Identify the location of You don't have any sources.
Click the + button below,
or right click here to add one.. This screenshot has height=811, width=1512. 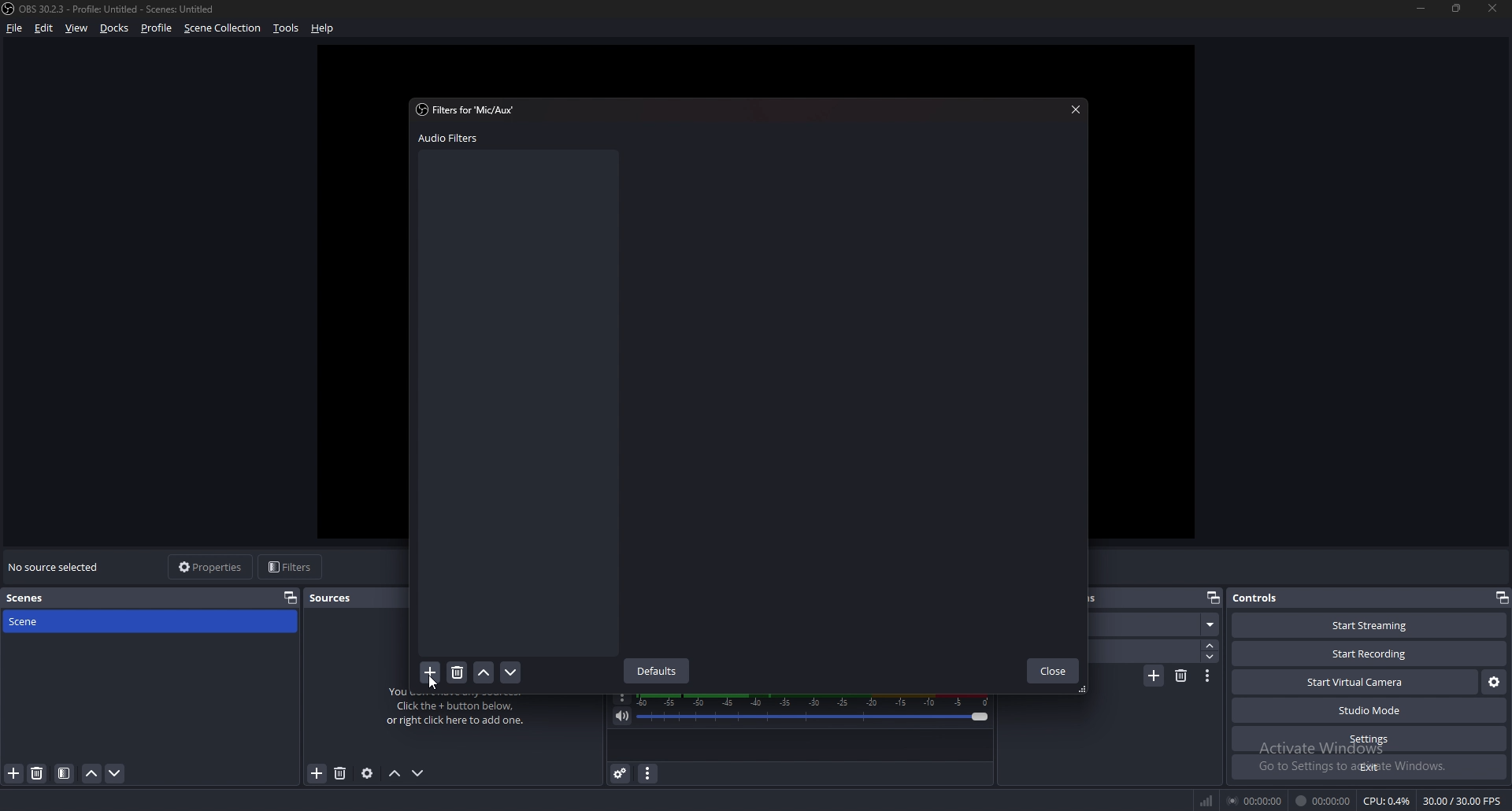
(462, 713).